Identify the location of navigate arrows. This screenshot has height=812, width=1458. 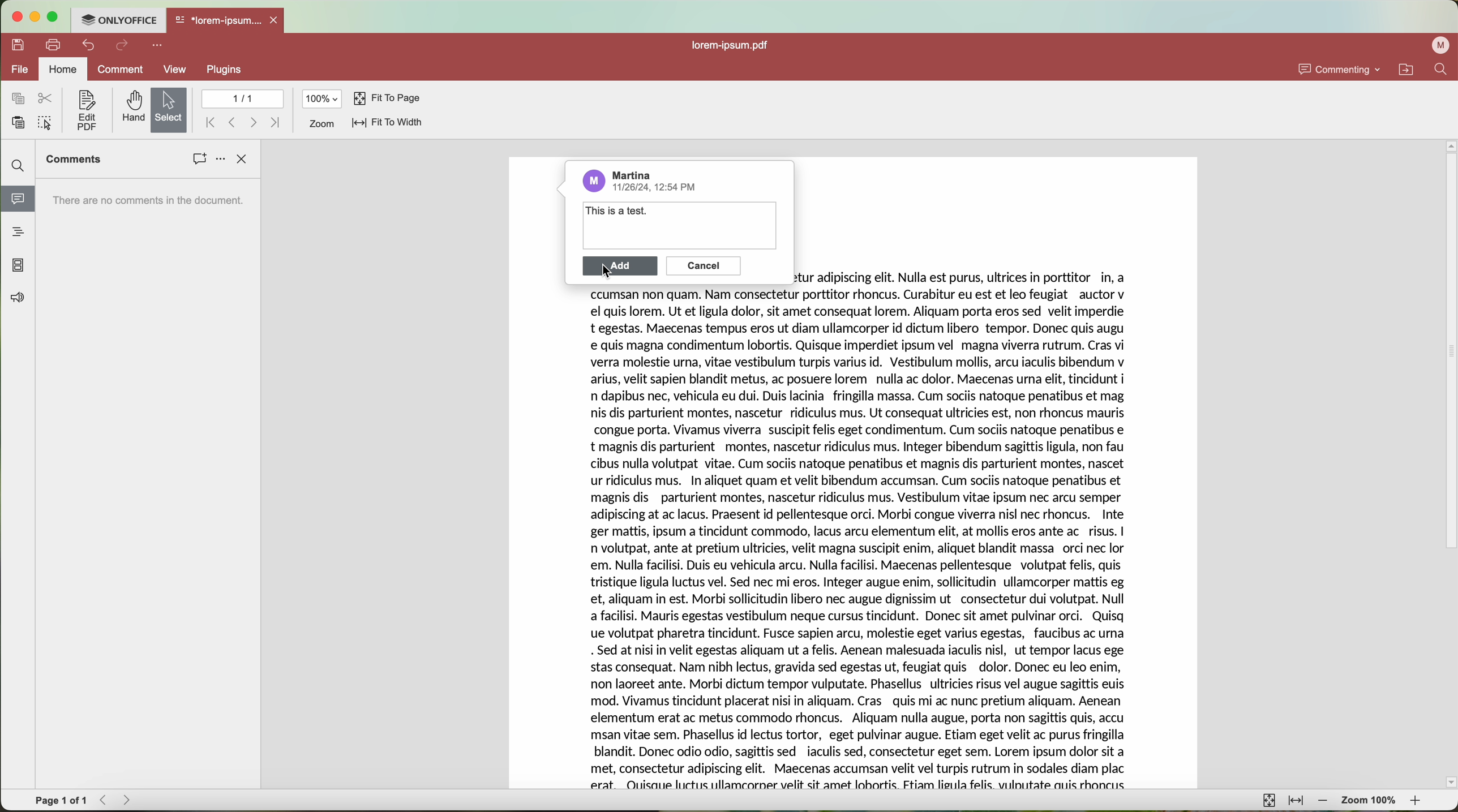
(242, 122).